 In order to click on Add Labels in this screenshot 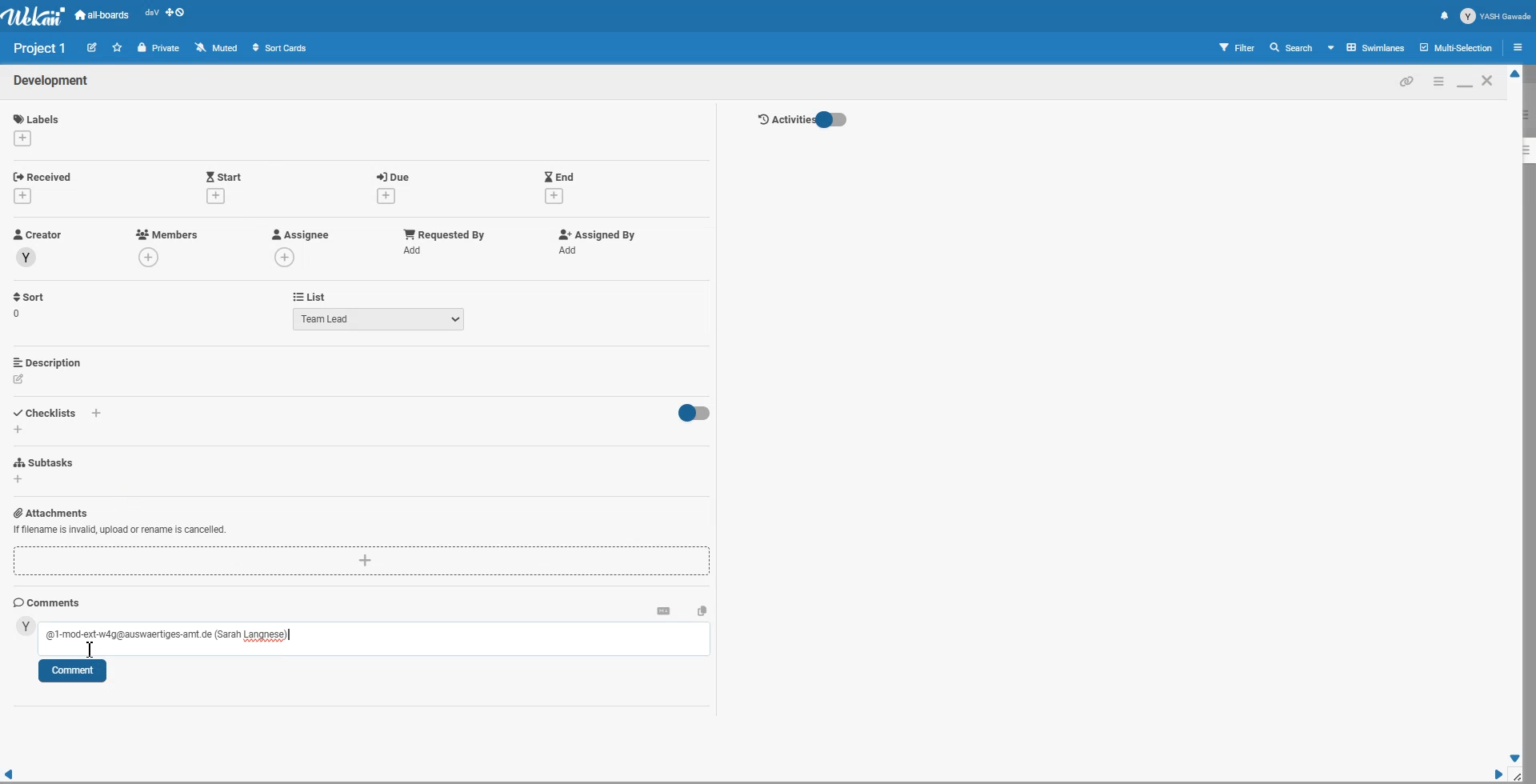, I will do `click(38, 116)`.